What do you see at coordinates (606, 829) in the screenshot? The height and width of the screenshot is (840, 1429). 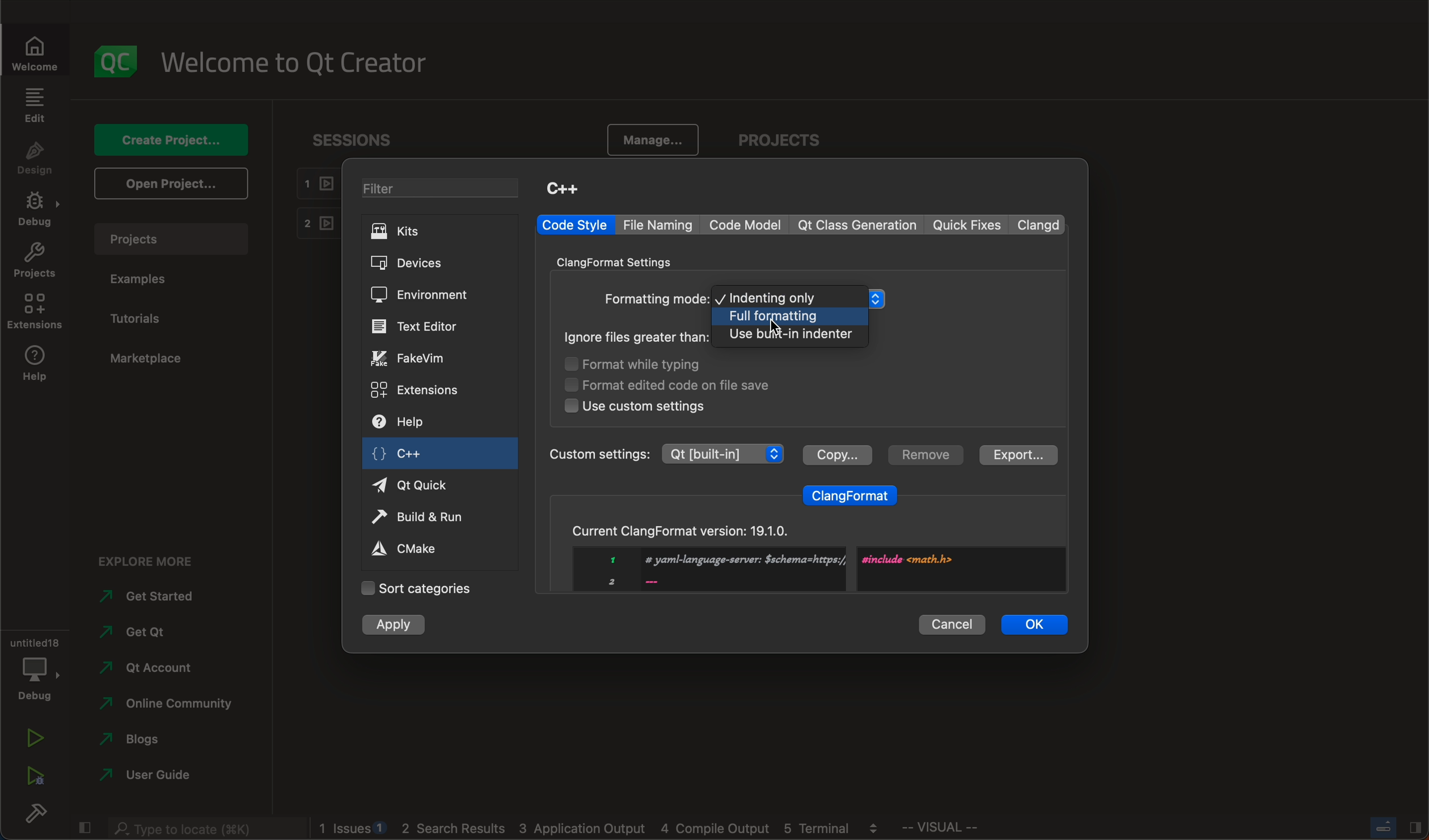 I see `logs` at bounding box center [606, 829].